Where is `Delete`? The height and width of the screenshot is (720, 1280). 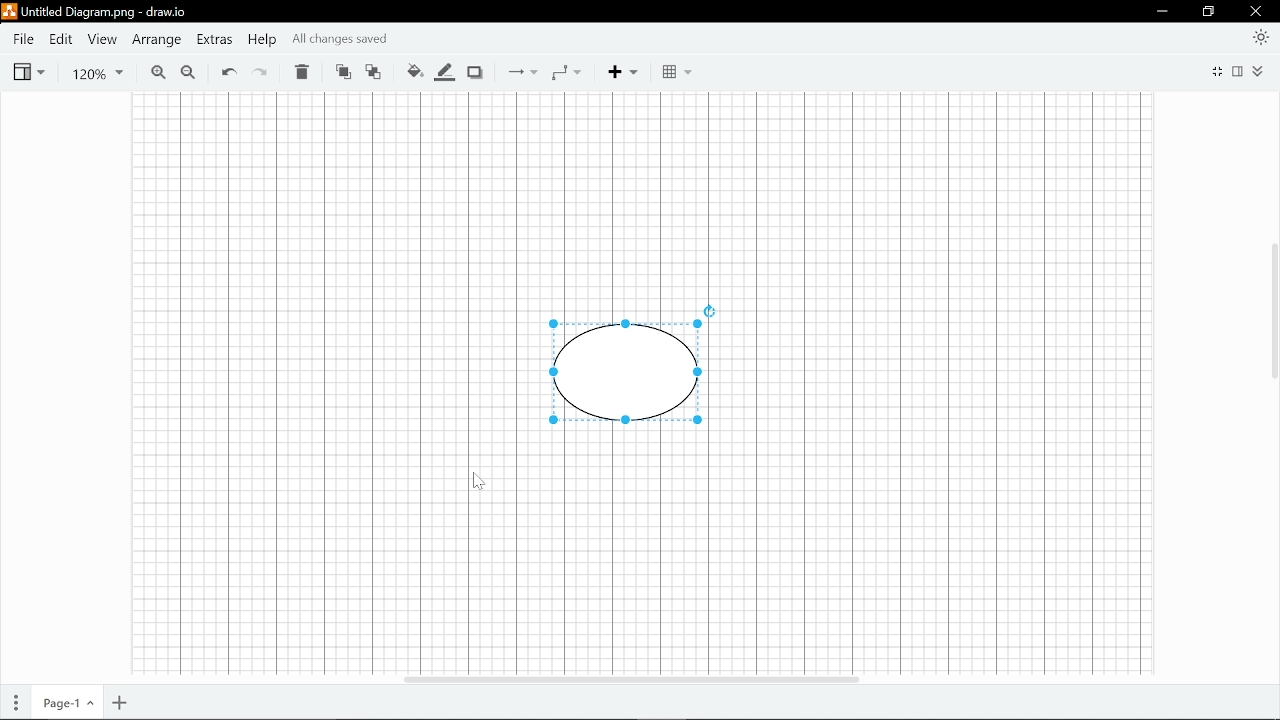 Delete is located at coordinates (299, 71).